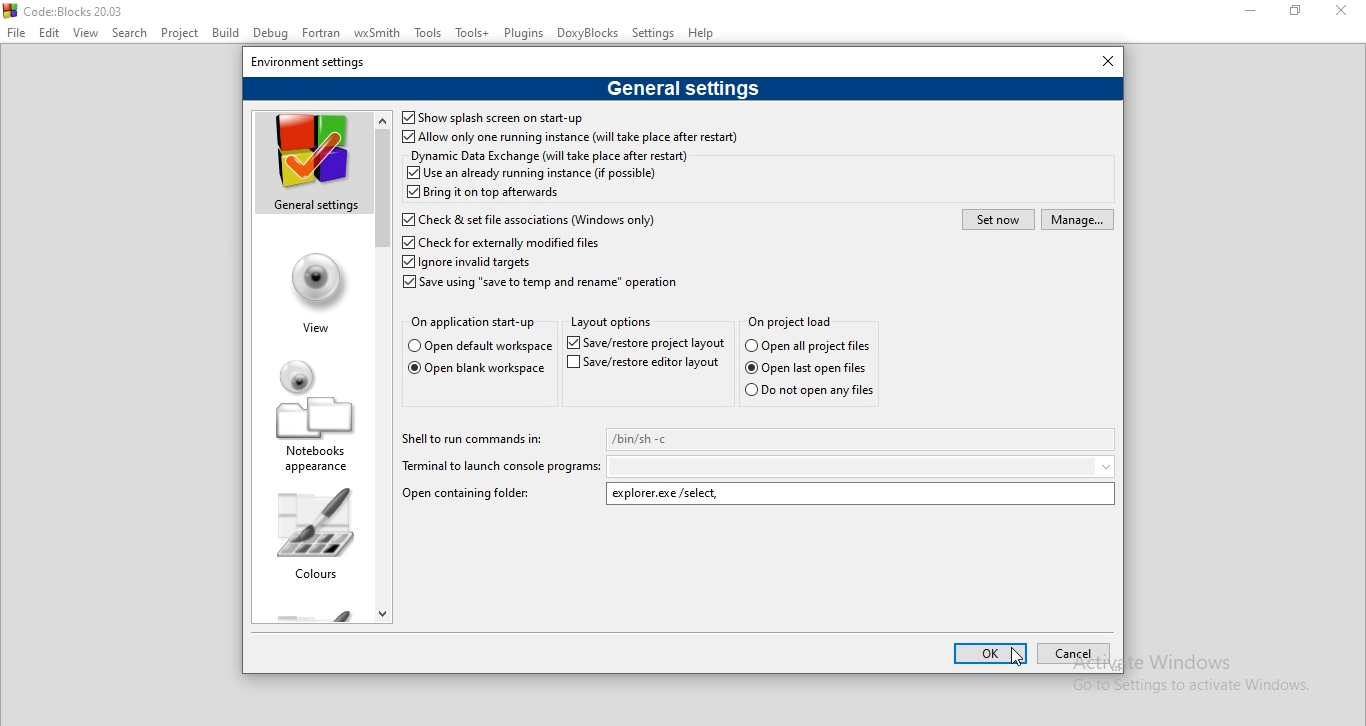  What do you see at coordinates (544, 283) in the screenshot?
I see `Save using 'save to temp and rename" operation` at bounding box center [544, 283].